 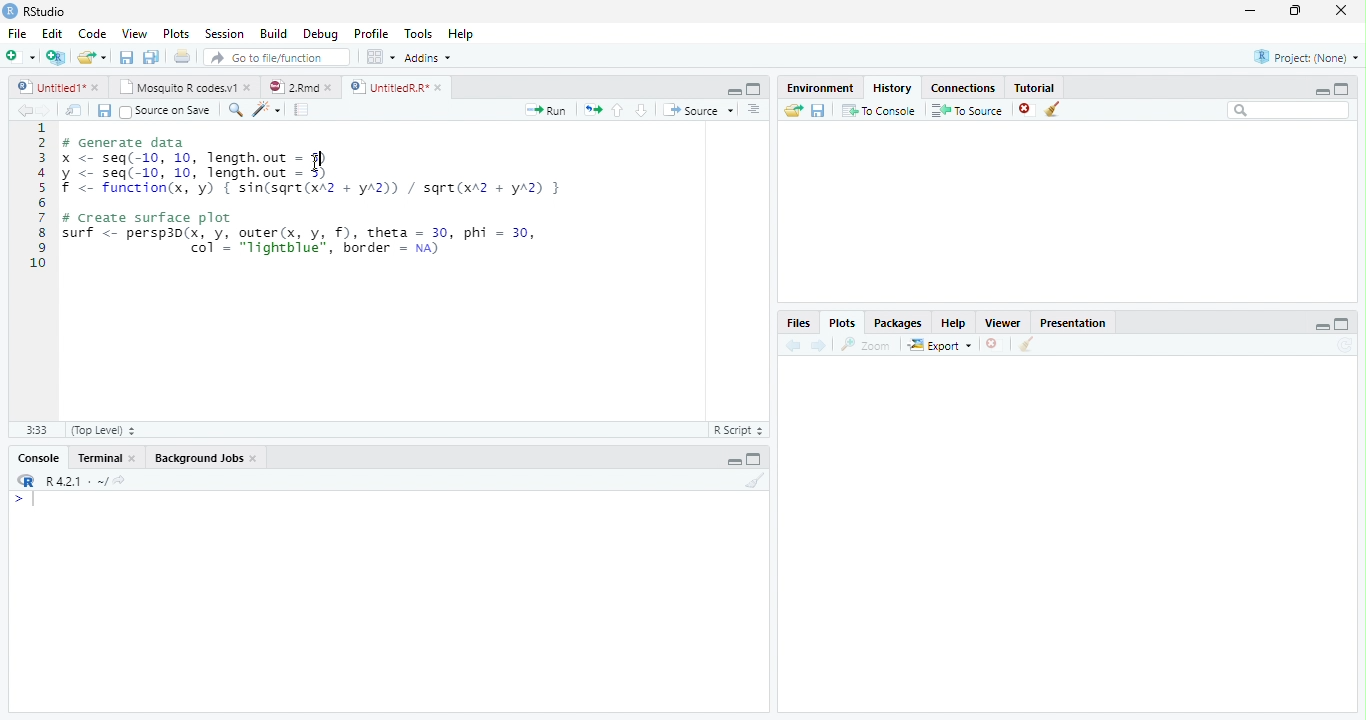 What do you see at coordinates (1026, 344) in the screenshot?
I see `Clear all plots` at bounding box center [1026, 344].